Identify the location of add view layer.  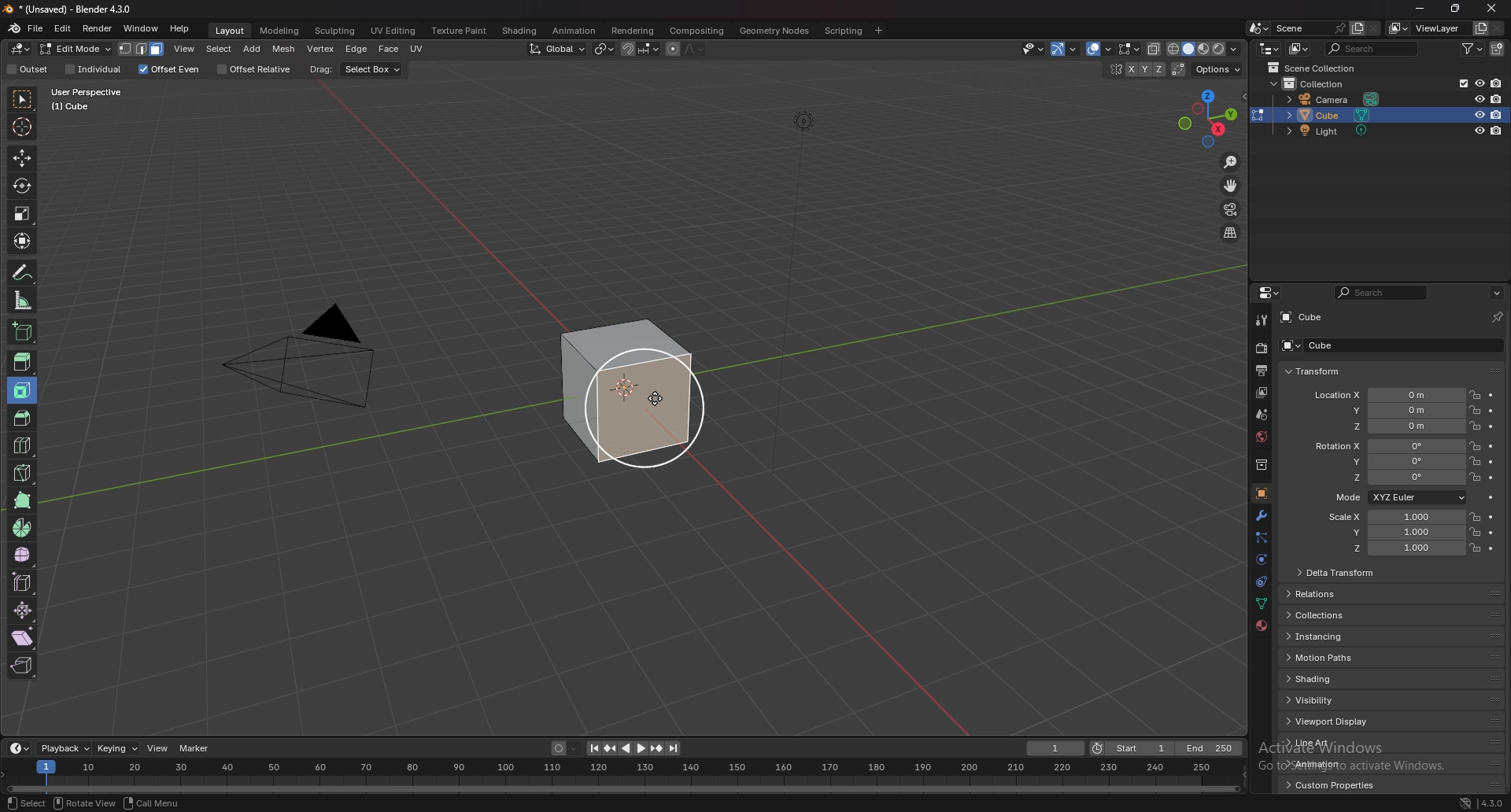
(1480, 28).